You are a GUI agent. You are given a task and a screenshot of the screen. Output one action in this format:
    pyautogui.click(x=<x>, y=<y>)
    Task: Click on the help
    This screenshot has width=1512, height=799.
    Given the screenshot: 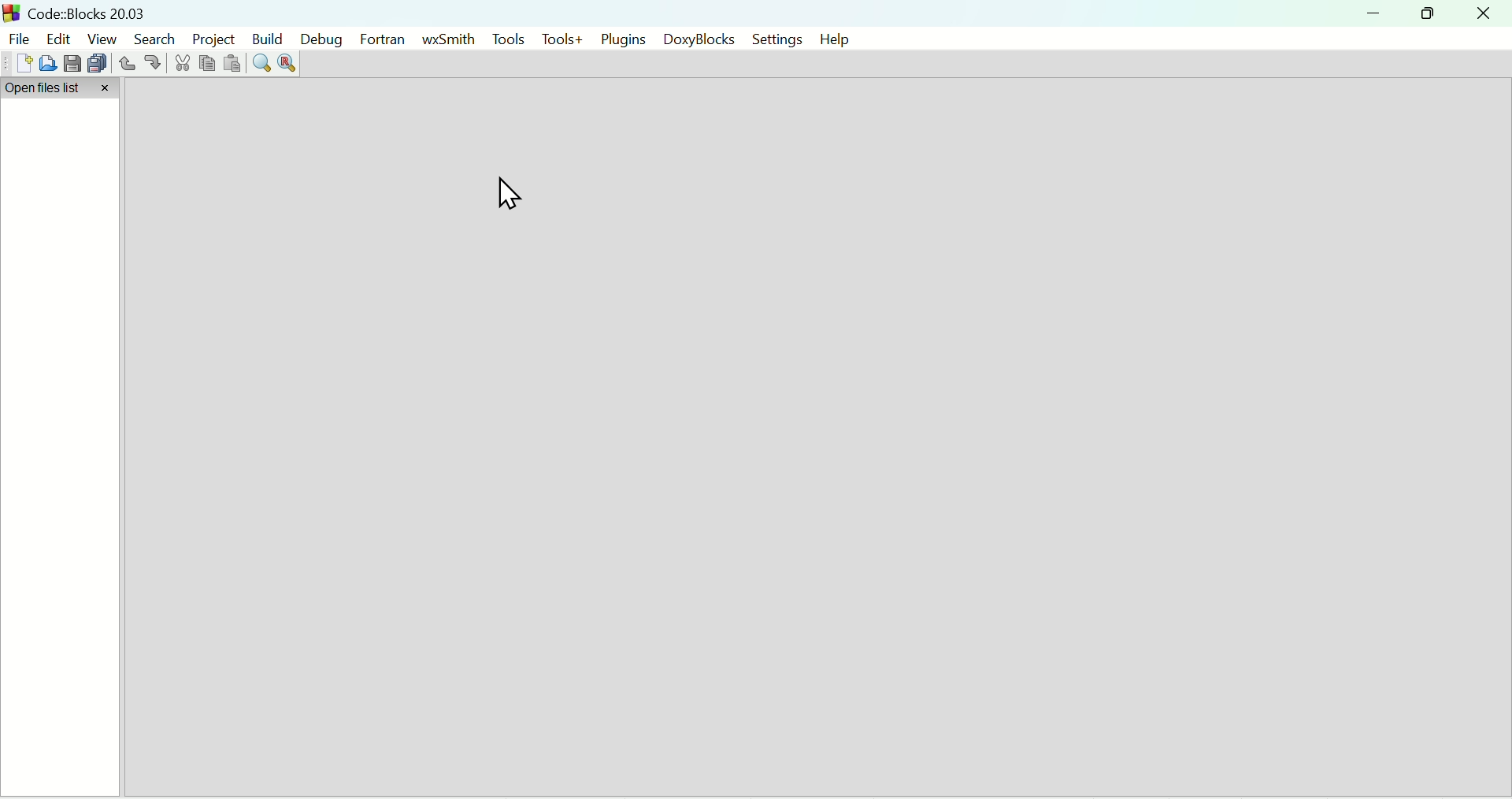 What is the action you would take?
    pyautogui.click(x=832, y=39)
    